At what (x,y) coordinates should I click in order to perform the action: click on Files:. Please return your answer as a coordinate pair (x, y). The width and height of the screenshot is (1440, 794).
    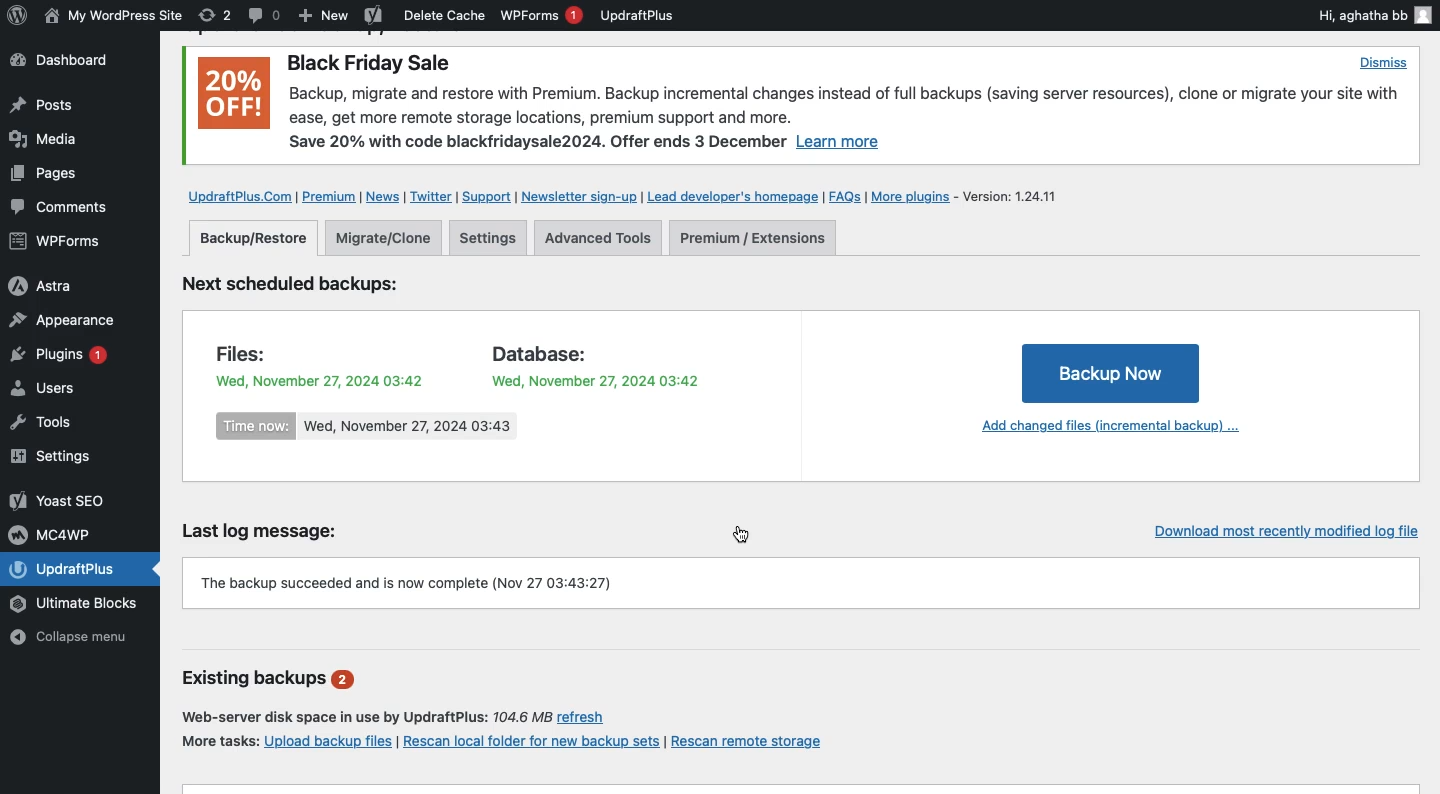
    Looking at the image, I should click on (253, 351).